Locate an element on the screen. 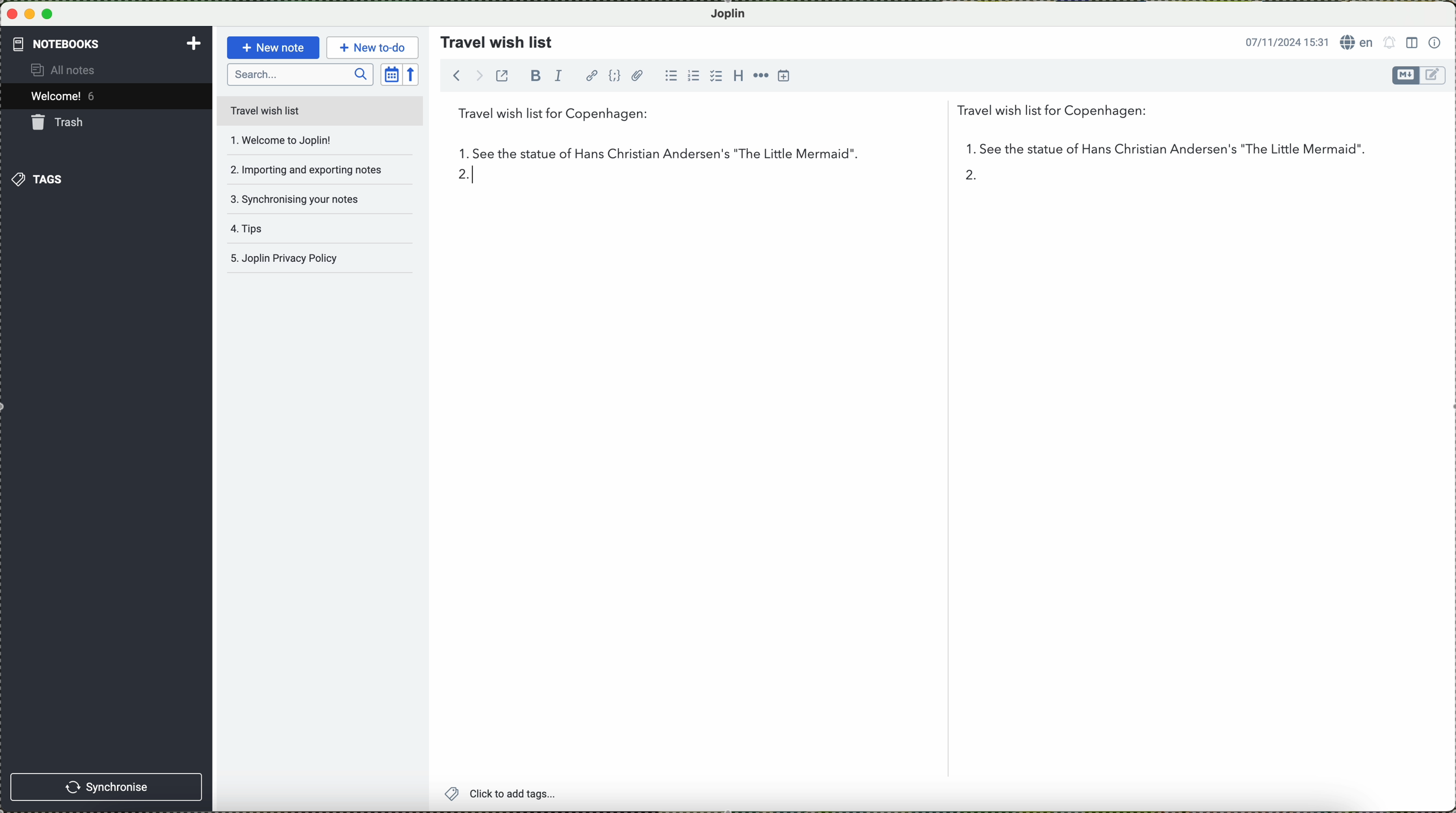  toggle editor layout is located at coordinates (1411, 43).